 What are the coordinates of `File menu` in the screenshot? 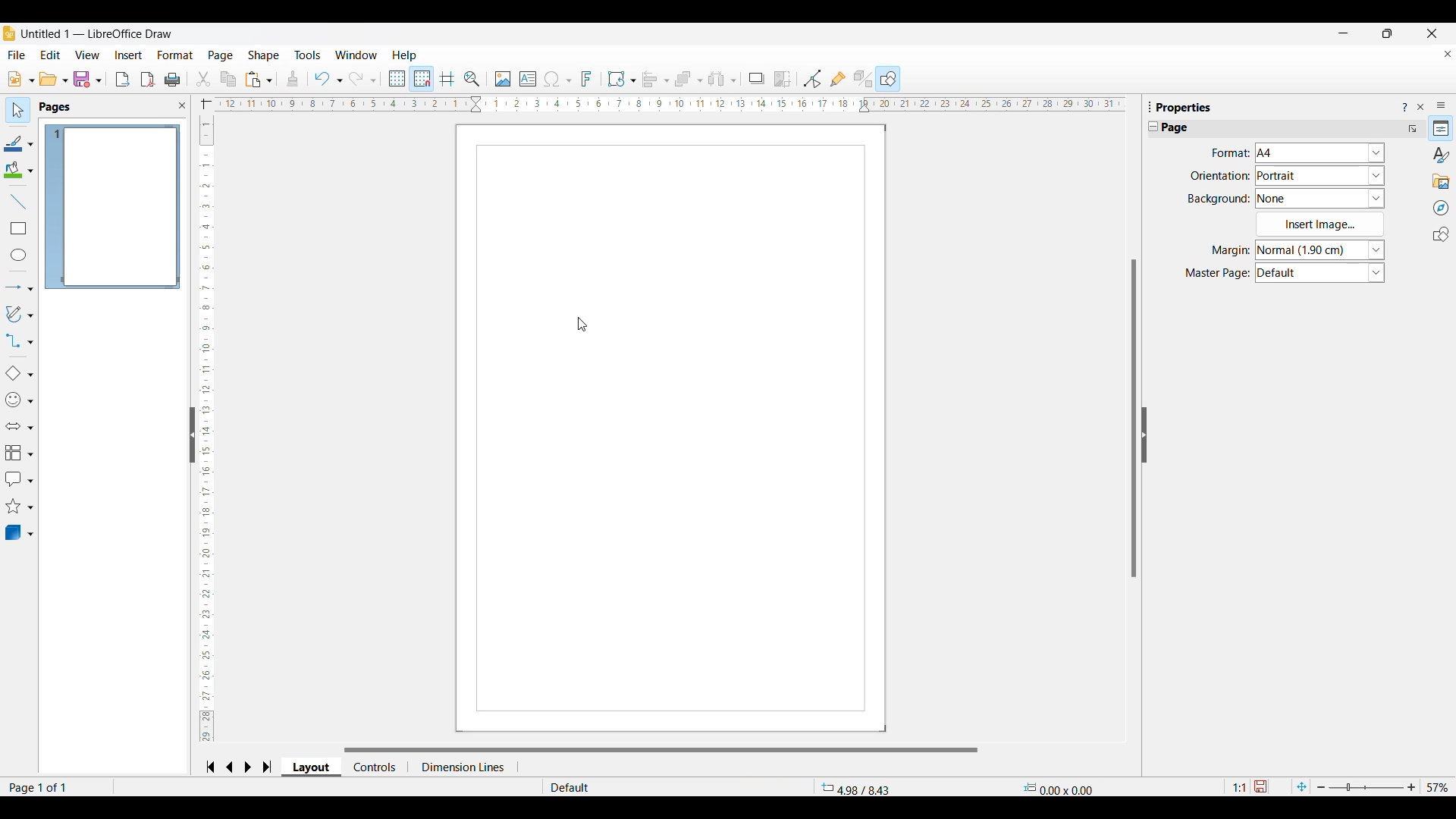 It's located at (16, 55).